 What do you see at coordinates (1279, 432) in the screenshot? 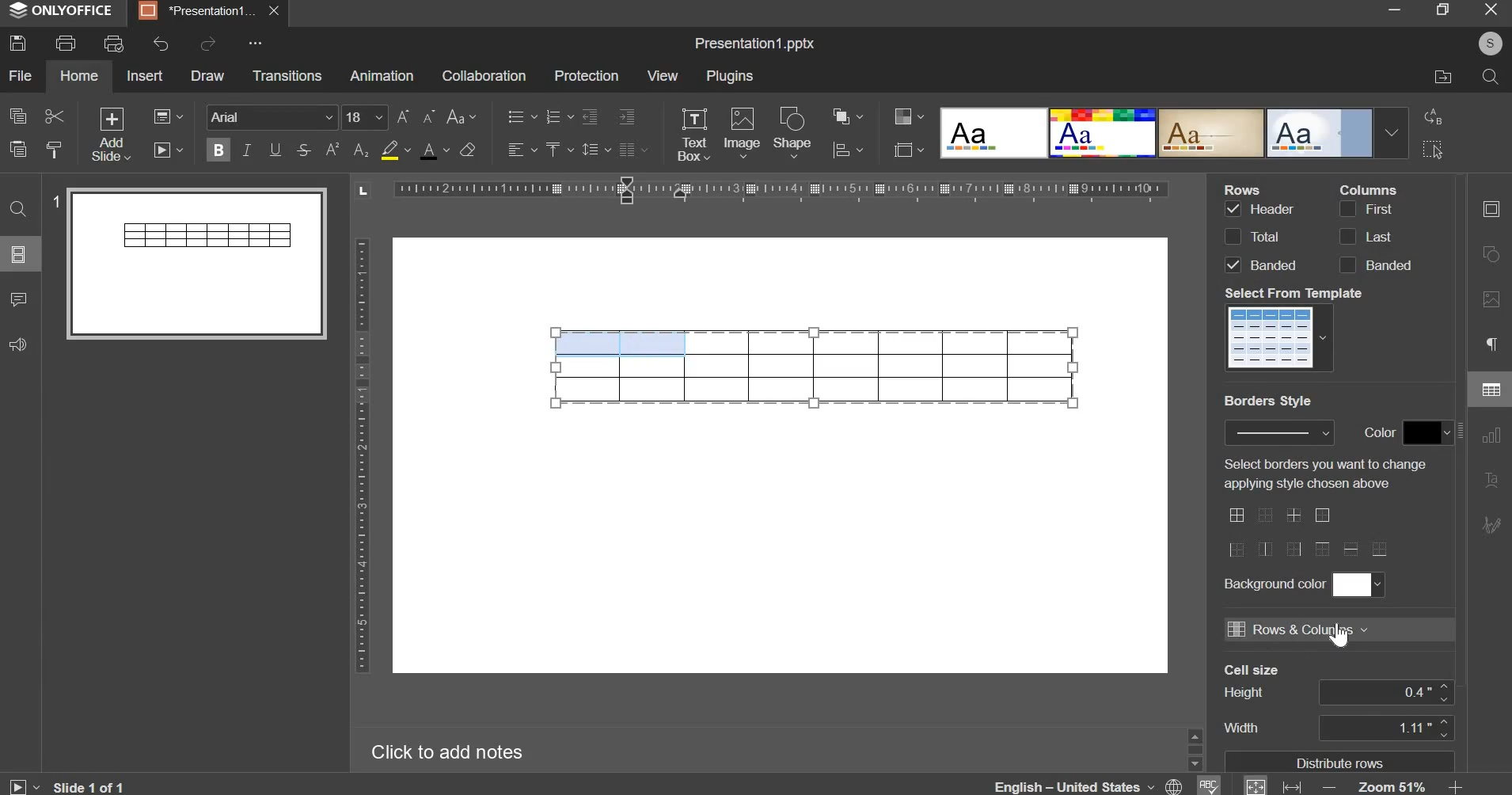
I see `border style` at bounding box center [1279, 432].